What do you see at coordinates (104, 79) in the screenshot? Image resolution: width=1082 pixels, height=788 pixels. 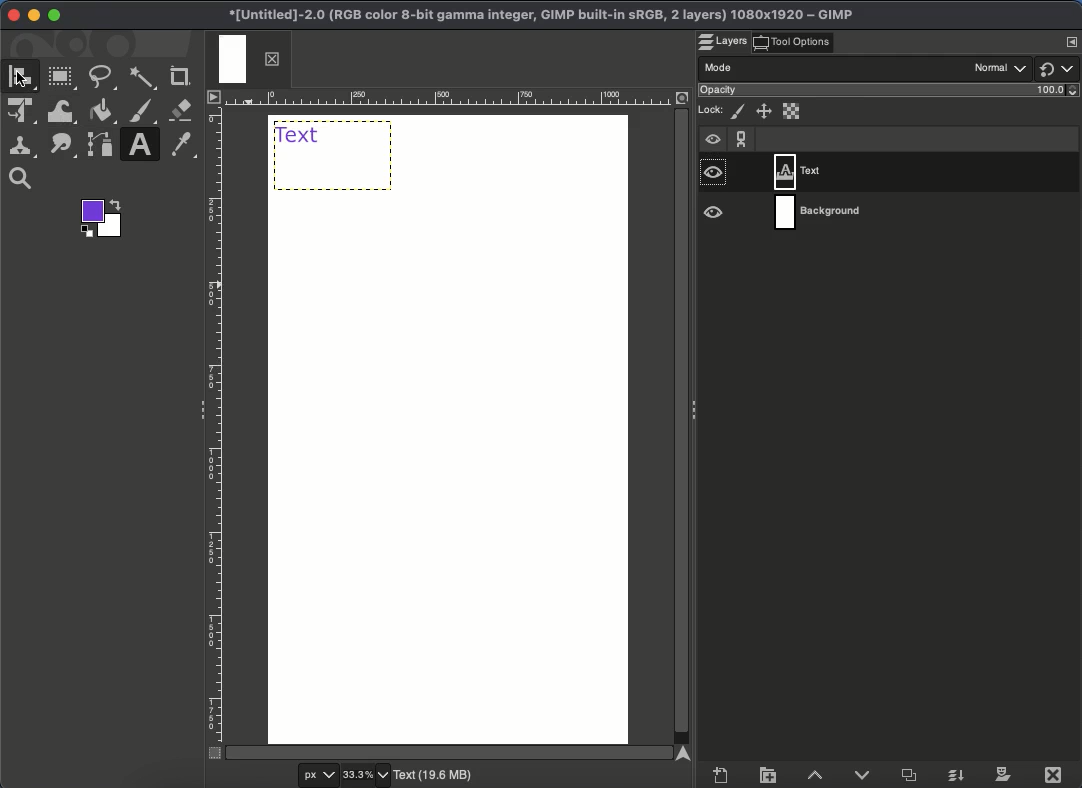 I see `Freehand tool` at bounding box center [104, 79].